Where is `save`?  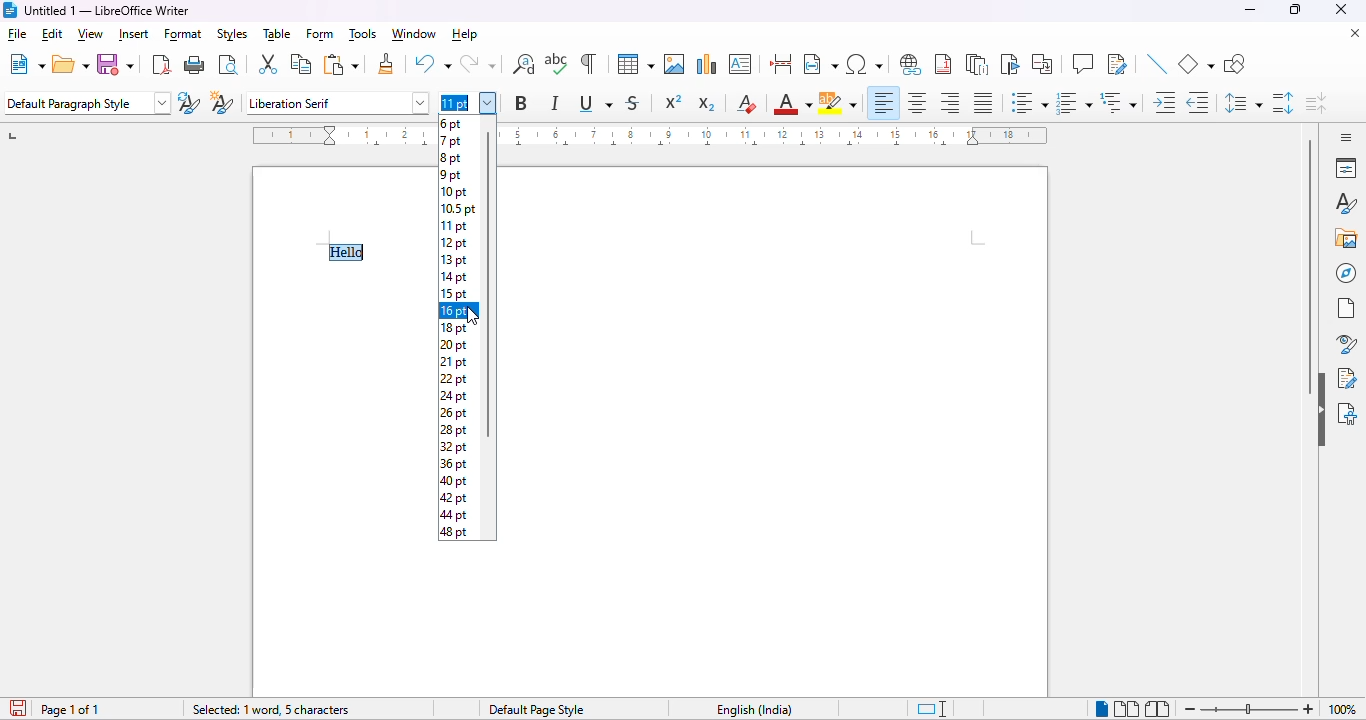
save is located at coordinates (116, 63).